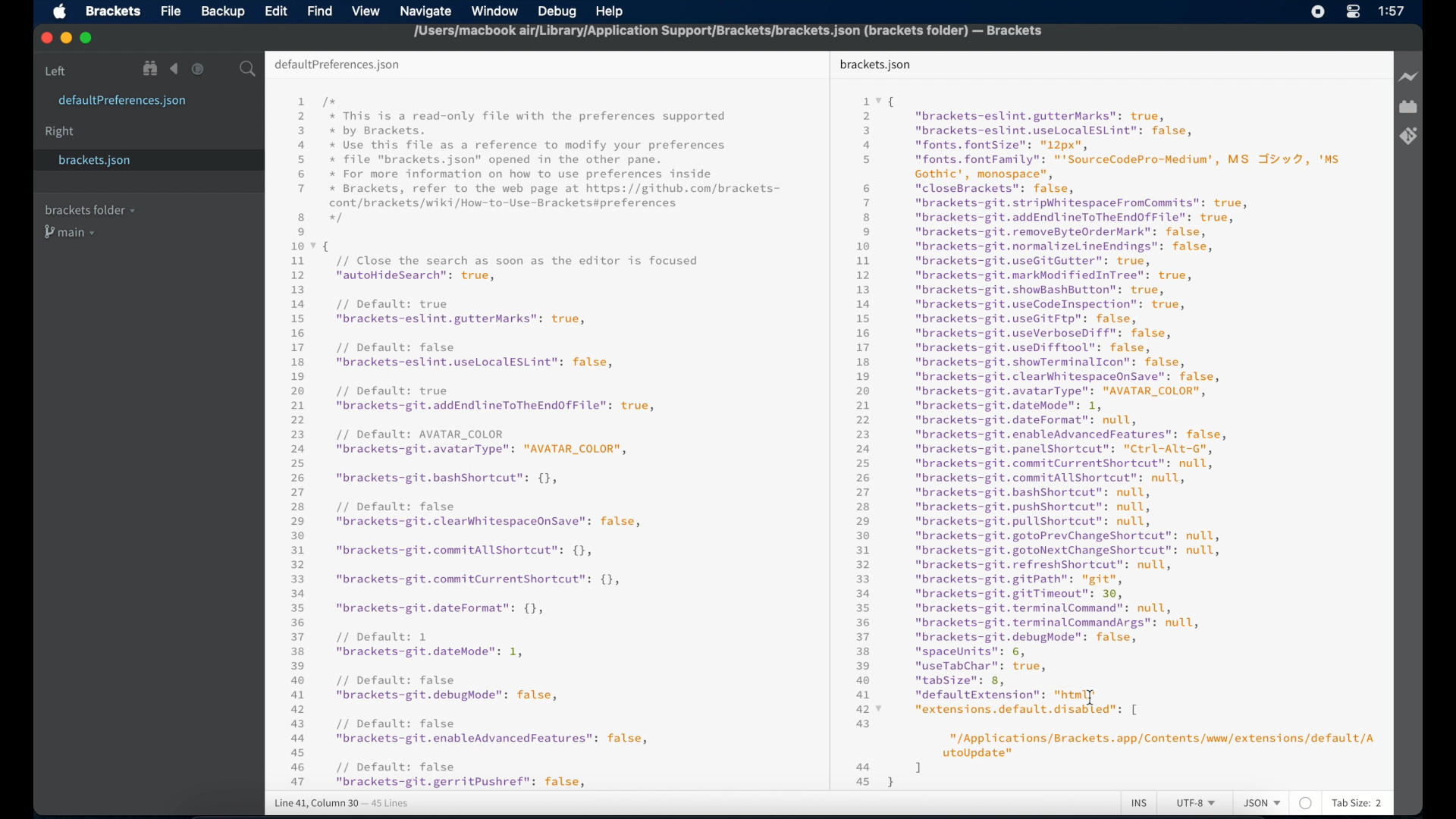  What do you see at coordinates (1407, 77) in the screenshot?
I see `live preview` at bounding box center [1407, 77].